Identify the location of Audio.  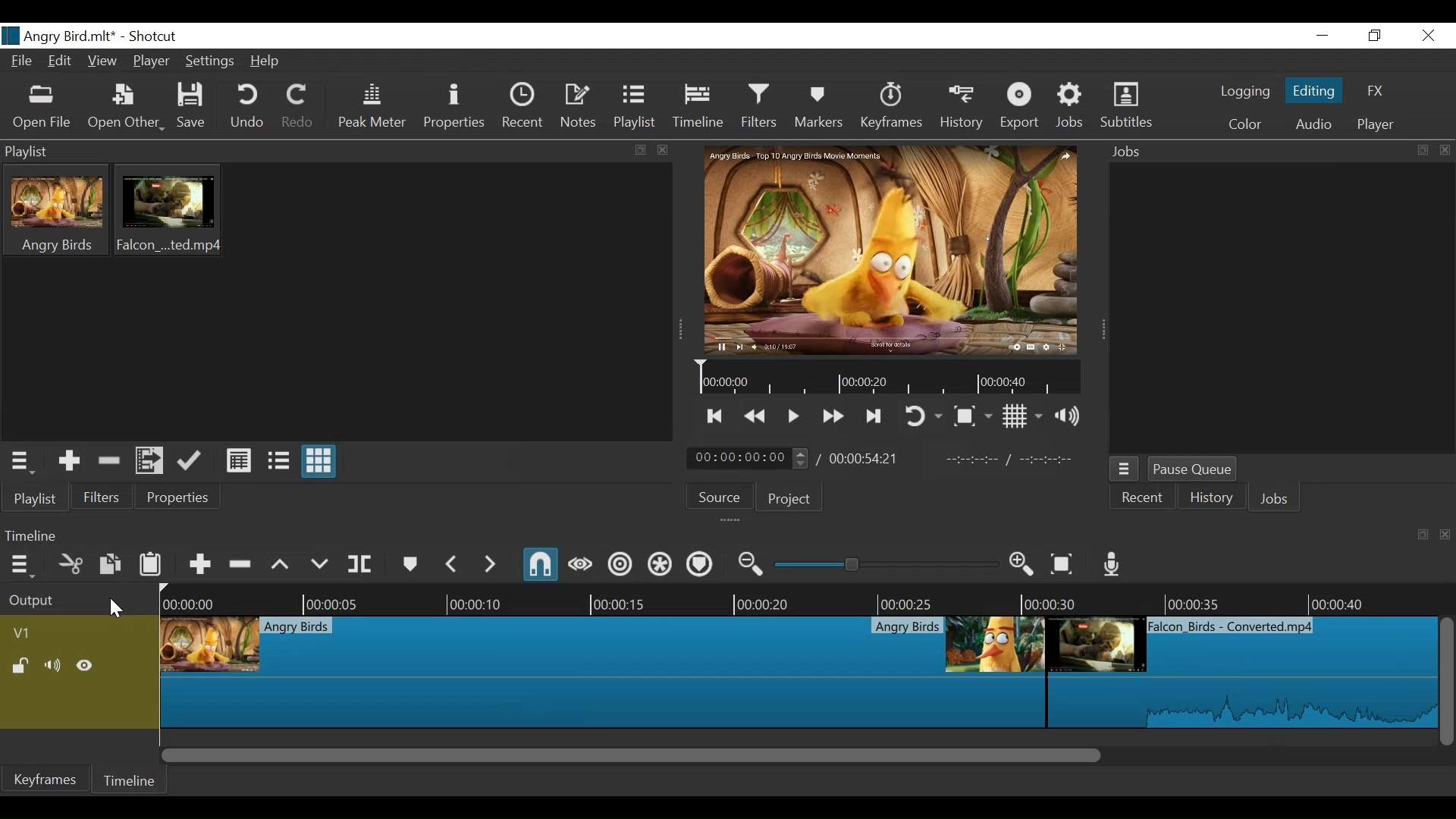
(1313, 124).